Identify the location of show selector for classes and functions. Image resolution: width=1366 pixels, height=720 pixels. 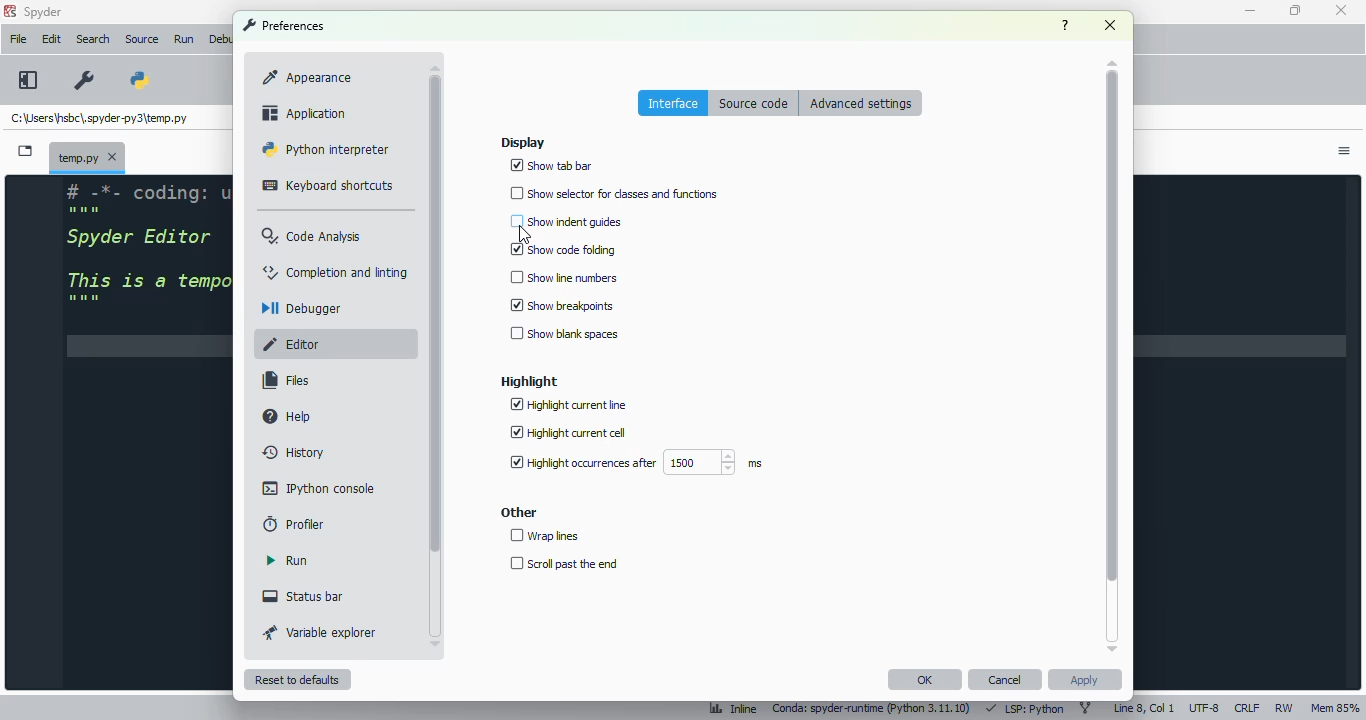
(615, 193).